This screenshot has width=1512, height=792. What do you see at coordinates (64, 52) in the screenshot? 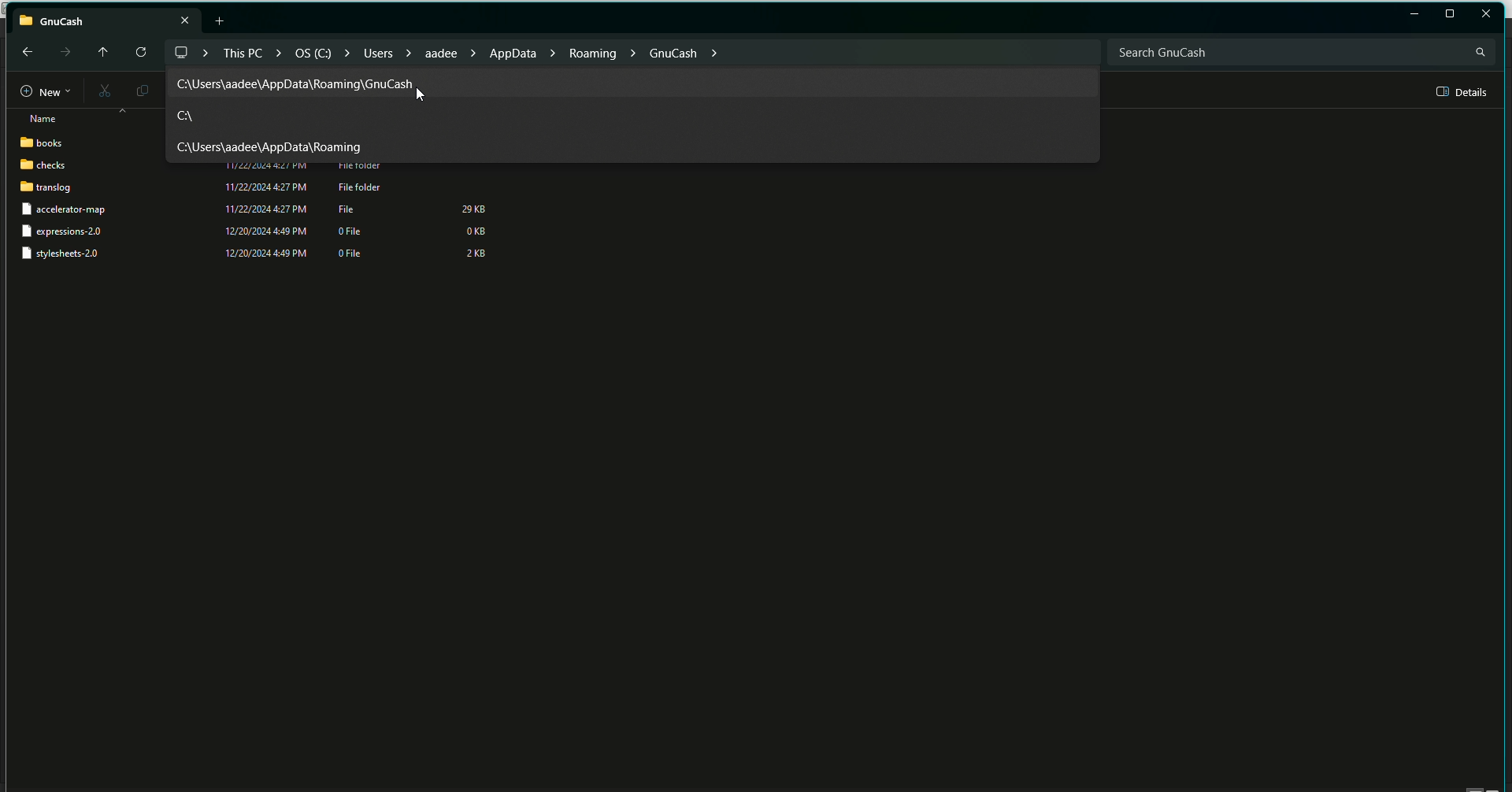
I see `Forward` at bounding box center [64, 52].